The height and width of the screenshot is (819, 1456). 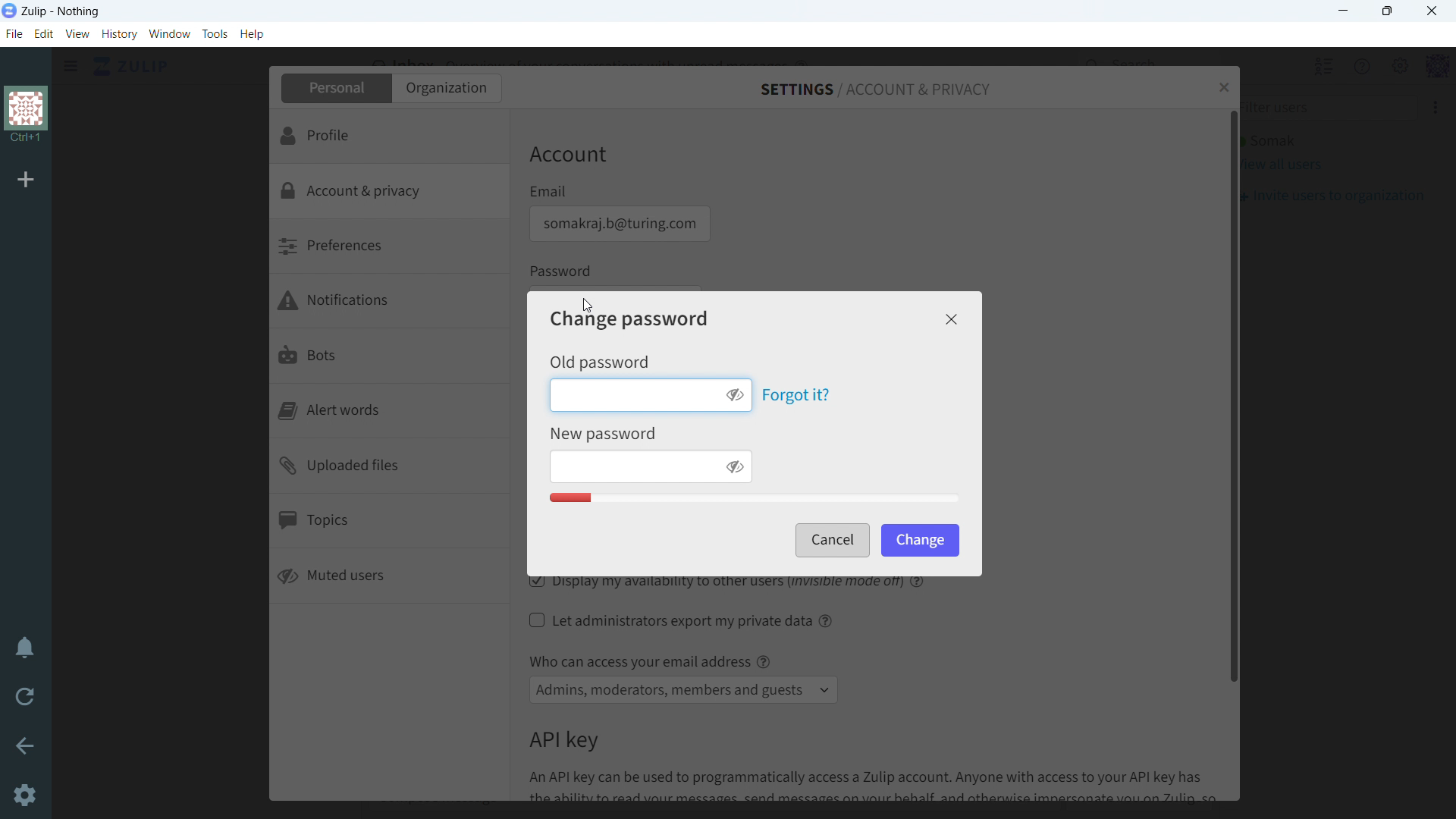 What do you see at coordinates (569, 156) in the screenshot?
I see `Account` at bounding box center [569, 156].